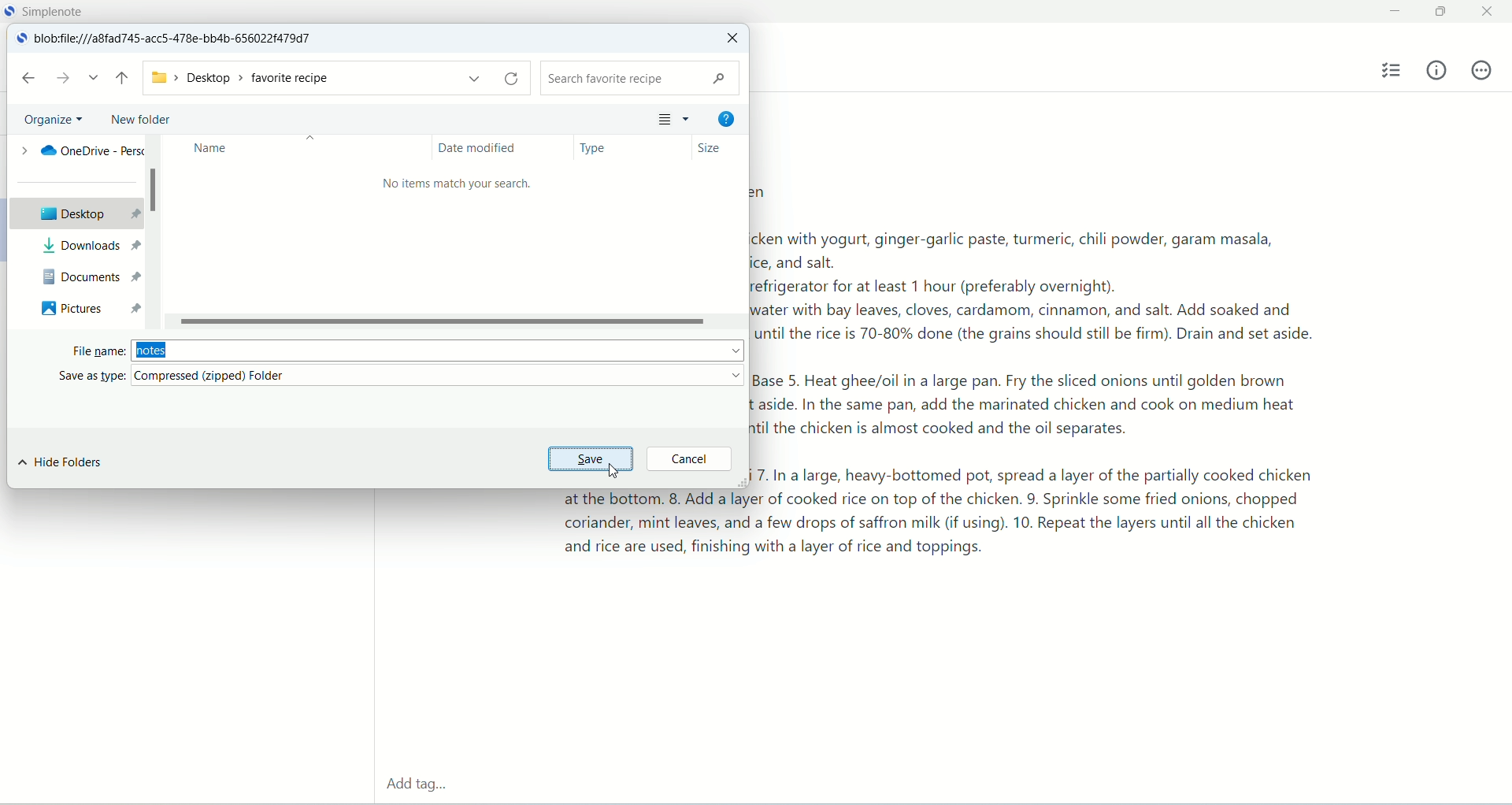 Image resolution: width=1512 pixels, height=805 pixels. What do you see at coordinates (1437, 69) in the screenshot?
I see `info` at bounding box center [1437, 69].